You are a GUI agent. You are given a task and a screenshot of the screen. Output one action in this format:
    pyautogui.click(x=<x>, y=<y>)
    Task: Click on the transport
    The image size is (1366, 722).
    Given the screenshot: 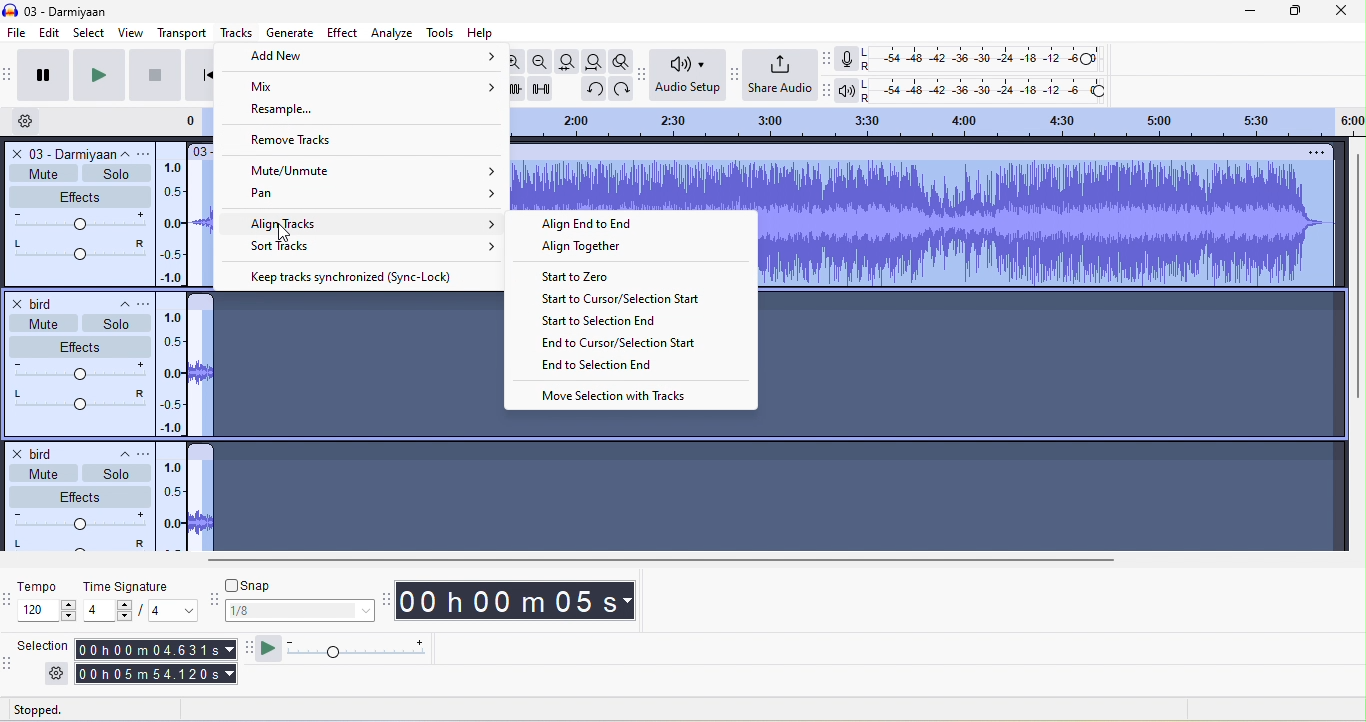 What is the action you would take?
    pyautogui.click(x=177, y=32)
    